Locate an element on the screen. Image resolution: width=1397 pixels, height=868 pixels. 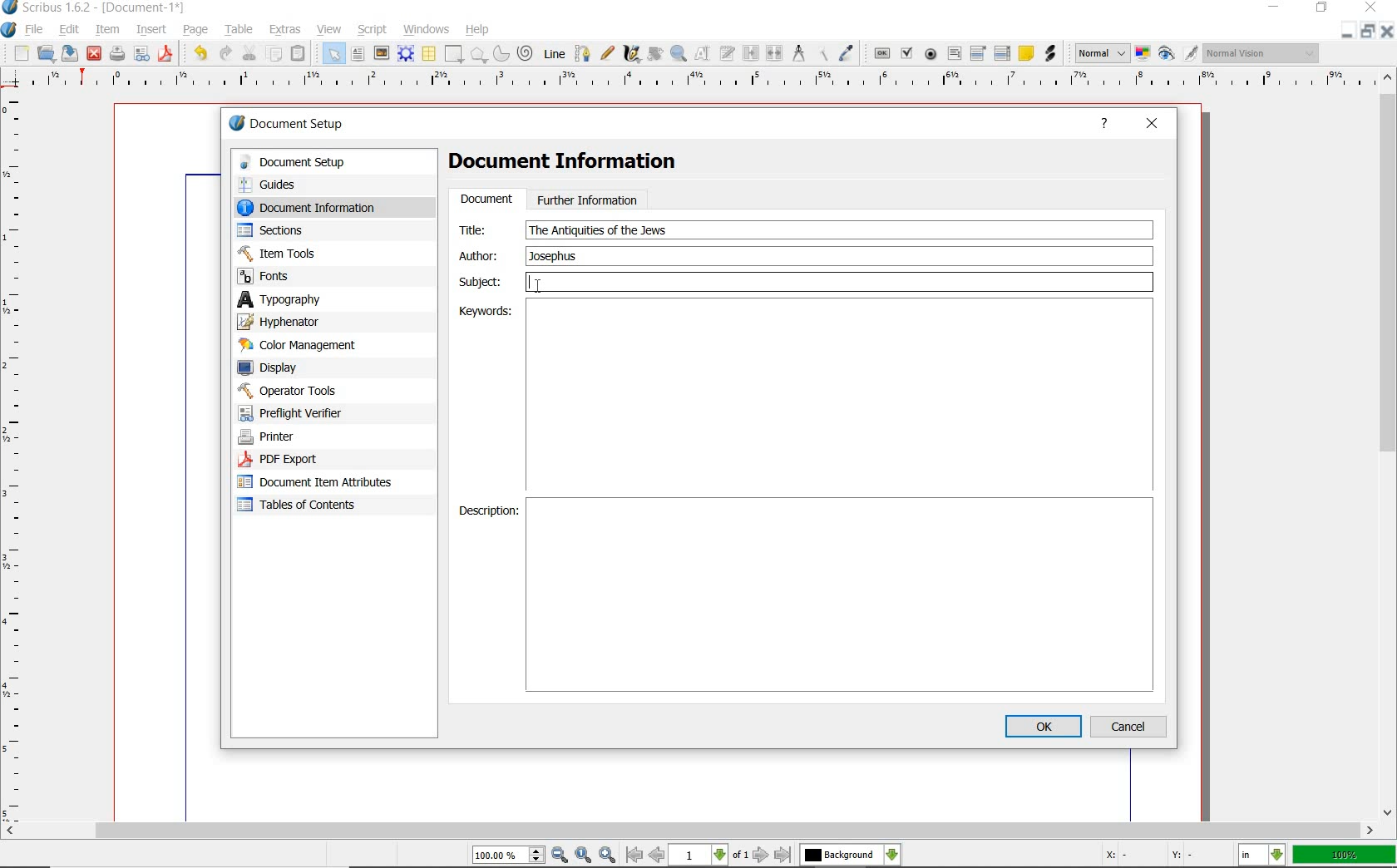
shape is located at coordinates (454, 53).